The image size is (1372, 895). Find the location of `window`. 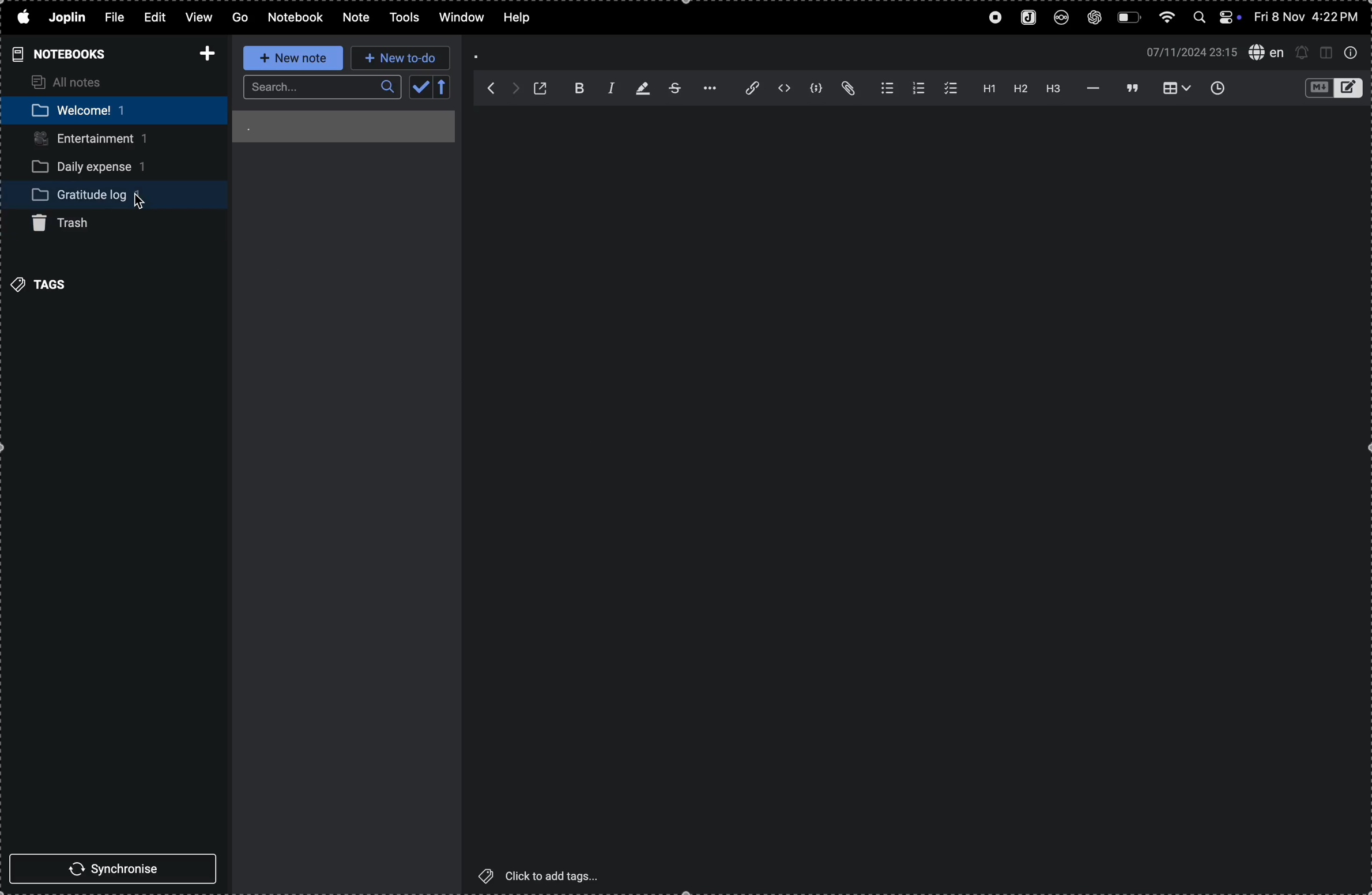

window is located at coordinates (462, 17).